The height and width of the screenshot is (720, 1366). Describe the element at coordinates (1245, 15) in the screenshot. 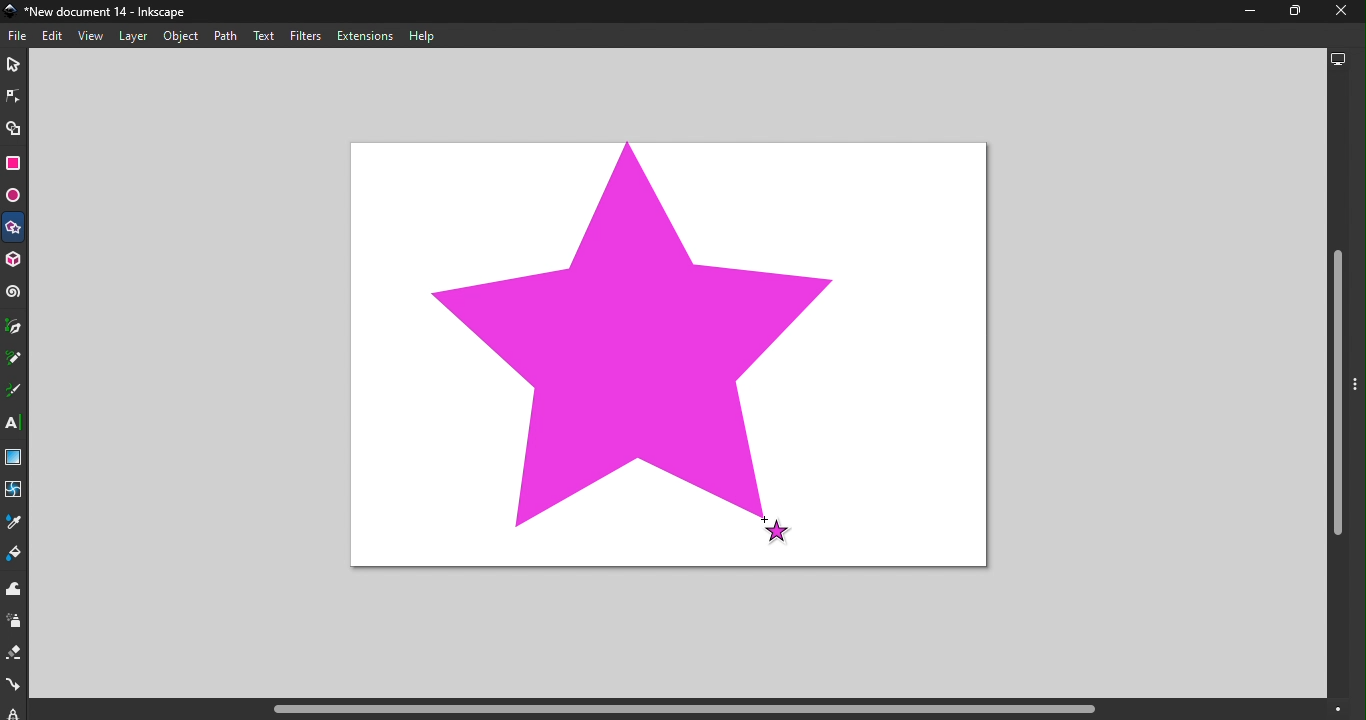

I see `Minimize` at that location.